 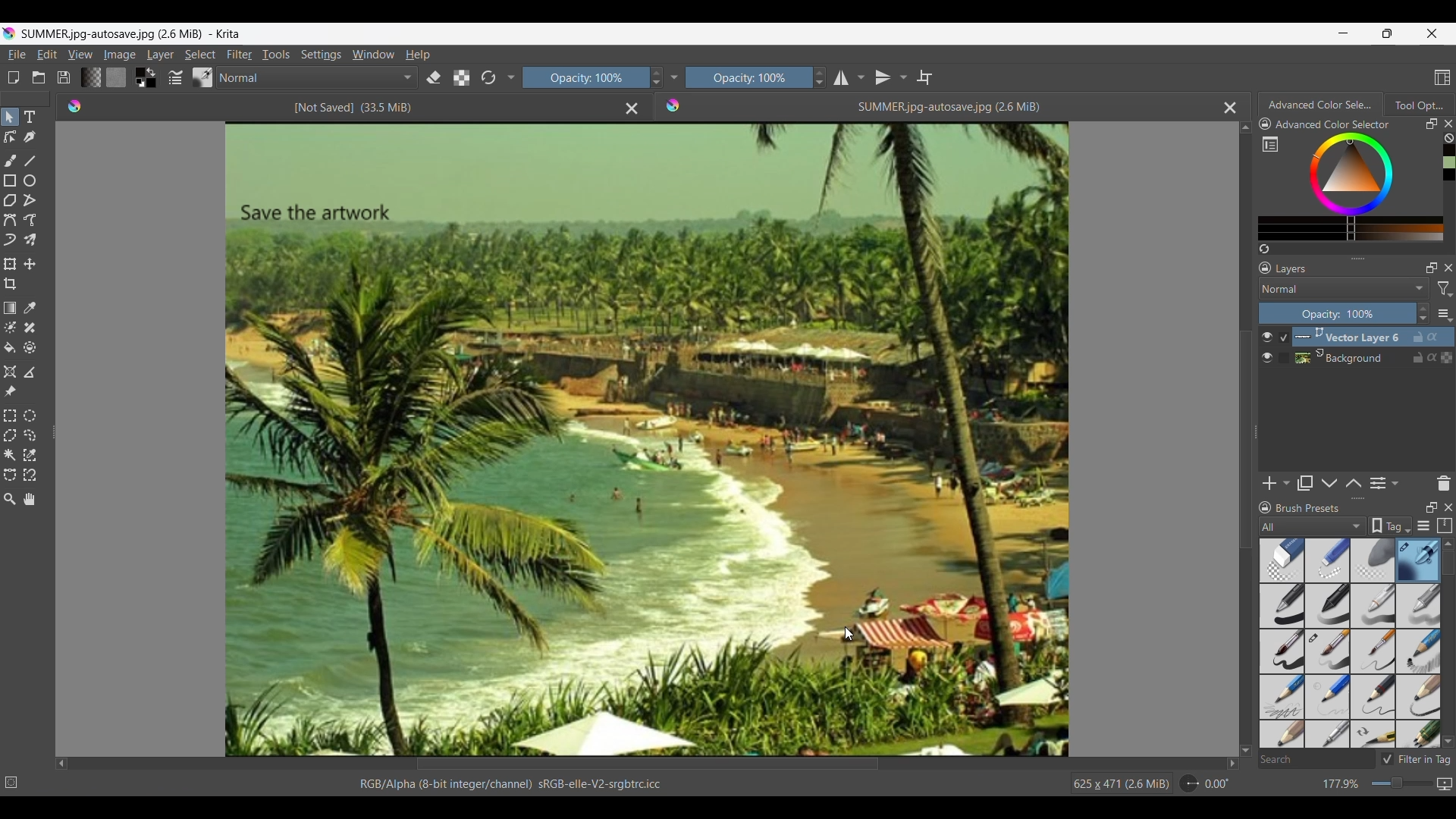 What do you see at coordinates (276, 55) in the screenshot?
I see `Tools` at bounding box center [276, 55].